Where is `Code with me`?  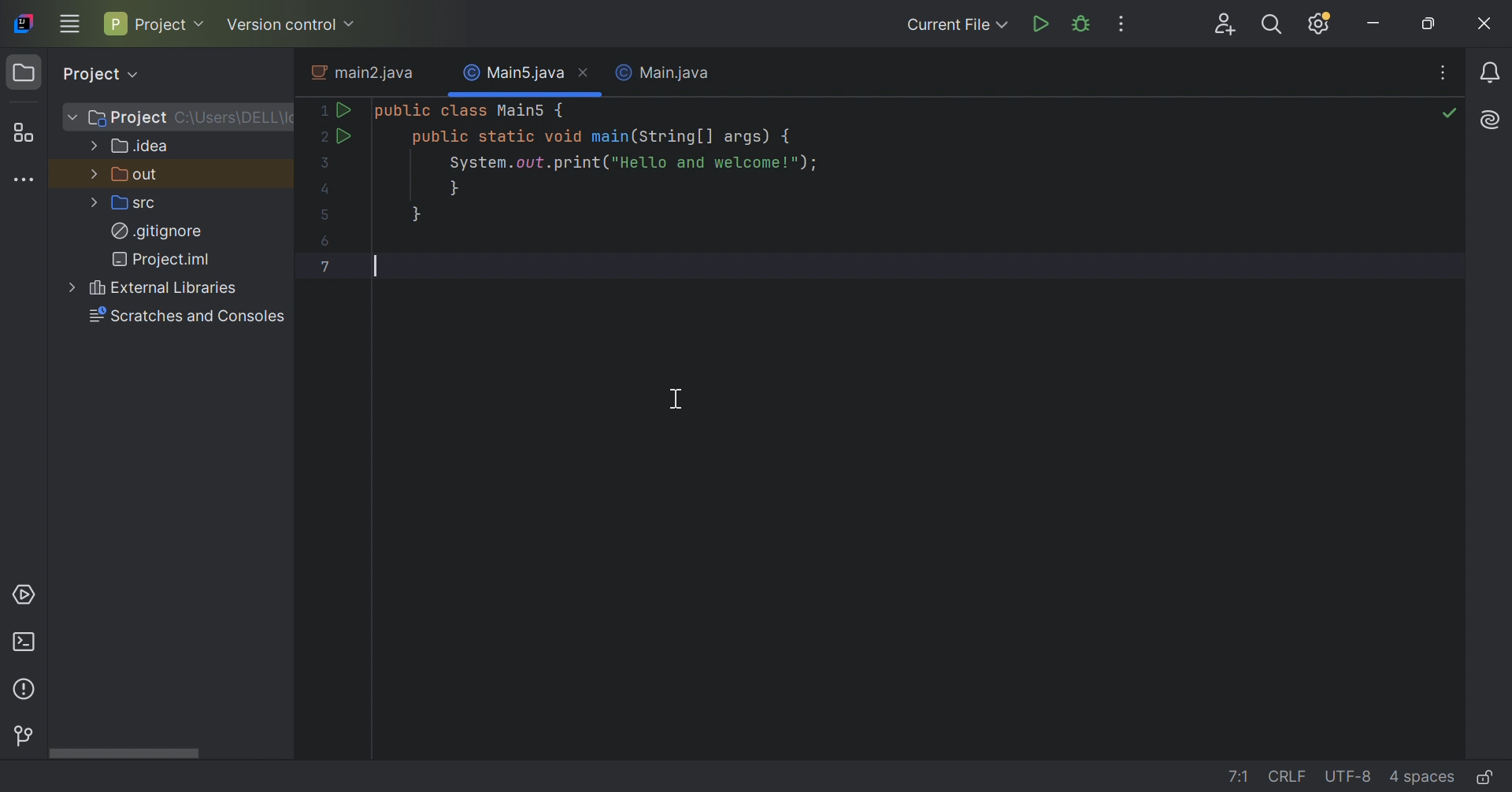
Code with me is located at coordinates (1227, 24).